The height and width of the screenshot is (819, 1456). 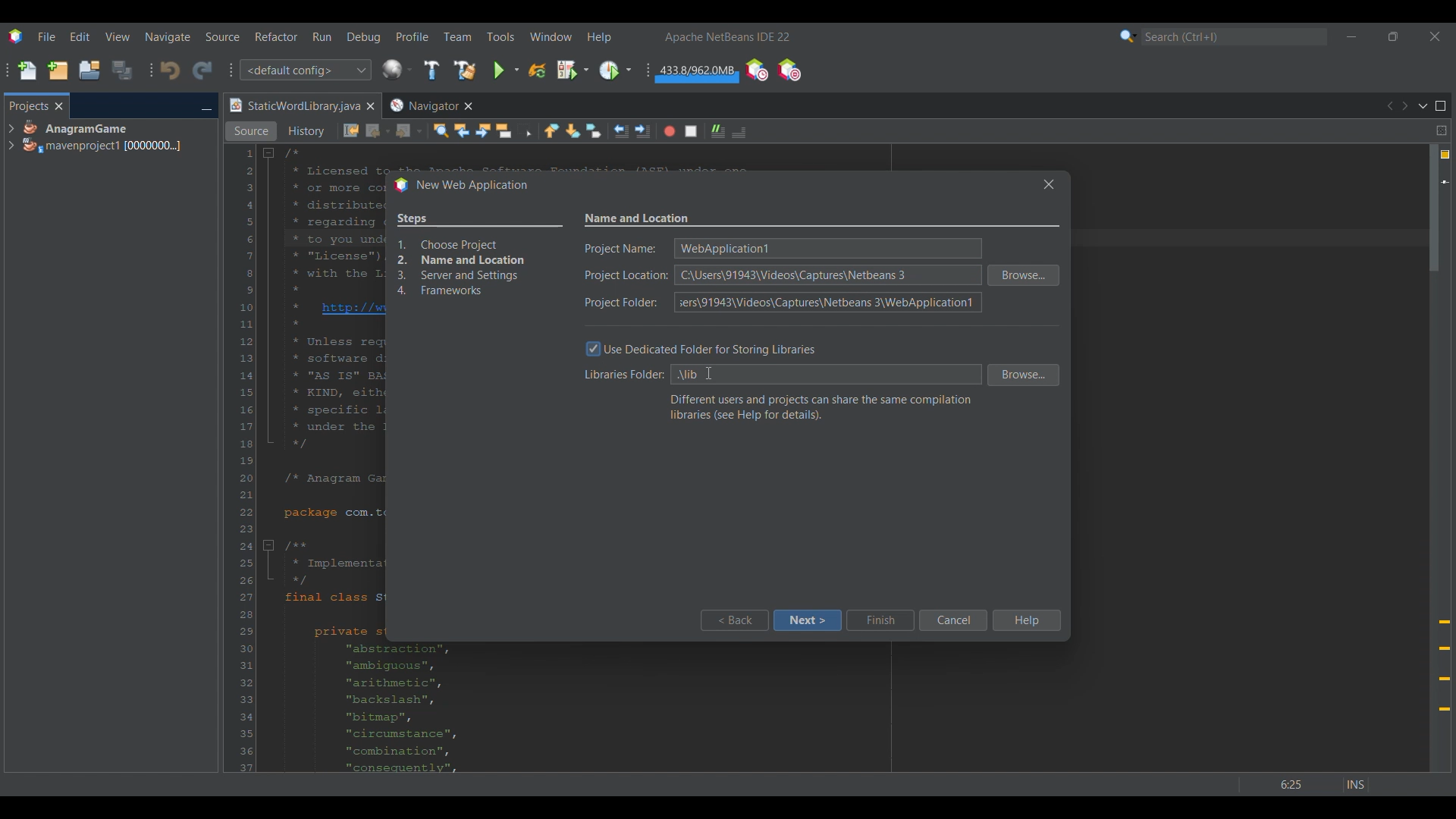 What do you see at coordinates (504, 130) in the screenshot?
I see `Toggle highlight search` at bounding box center [504, 130].